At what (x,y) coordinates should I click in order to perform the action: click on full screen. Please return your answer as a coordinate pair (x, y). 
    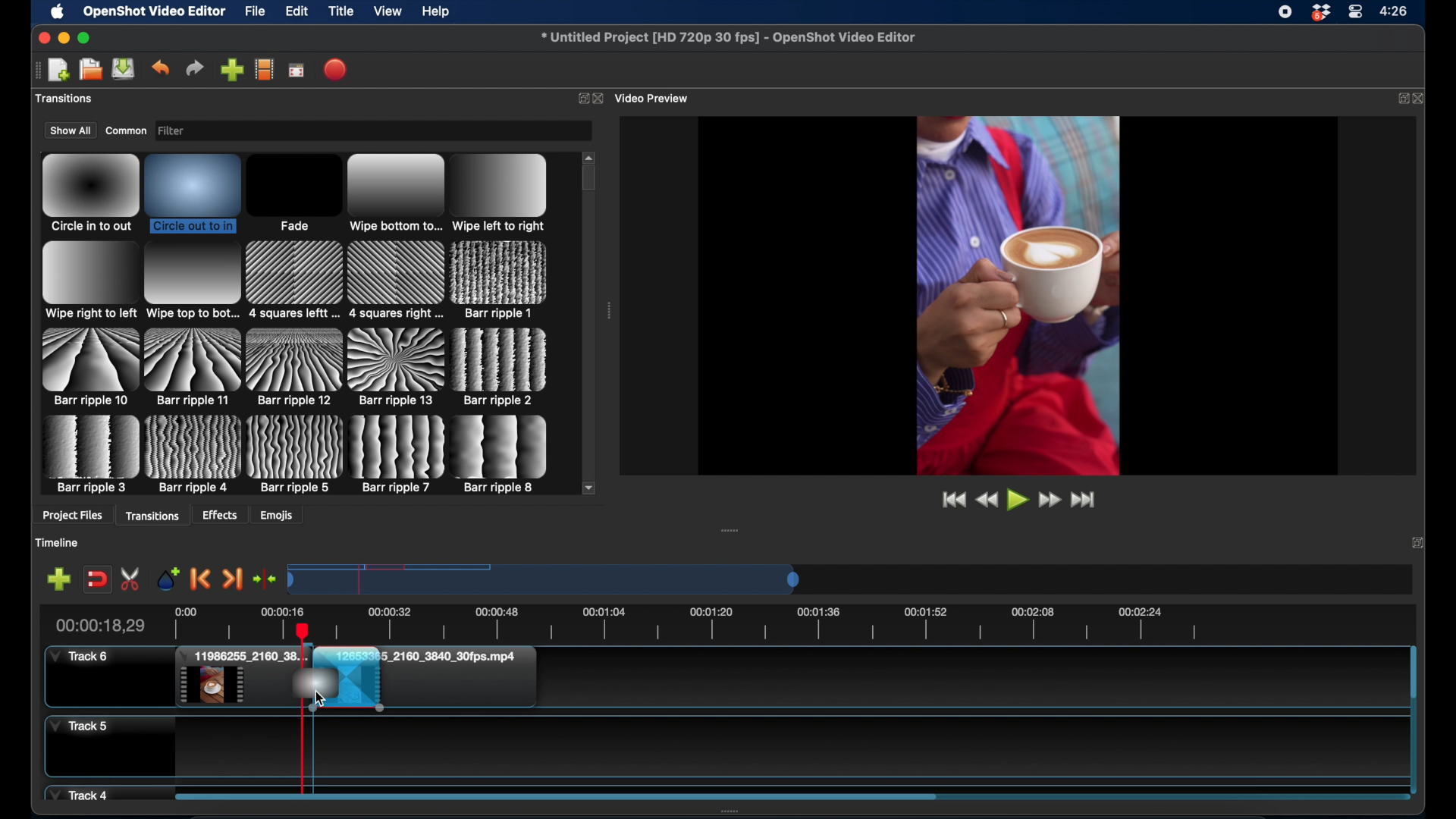
    Looking at the image, I should click on (297, 69).